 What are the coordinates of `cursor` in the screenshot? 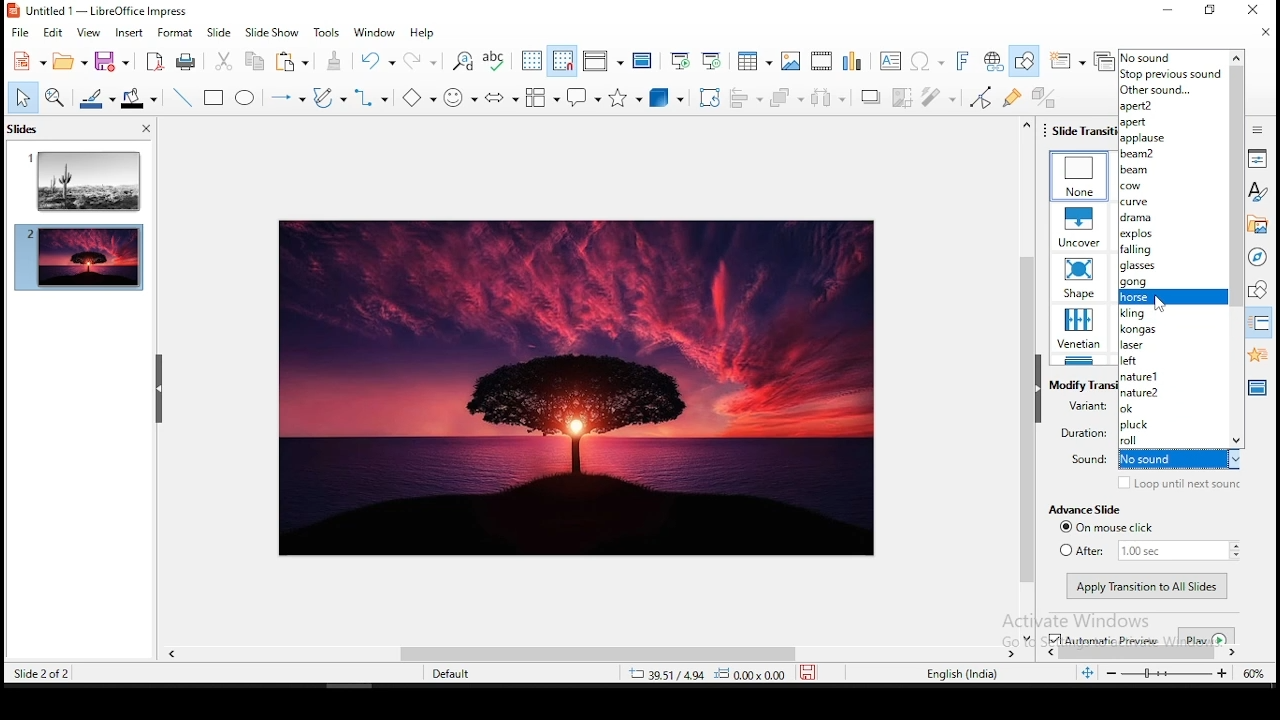 It's located at (1159, 303).